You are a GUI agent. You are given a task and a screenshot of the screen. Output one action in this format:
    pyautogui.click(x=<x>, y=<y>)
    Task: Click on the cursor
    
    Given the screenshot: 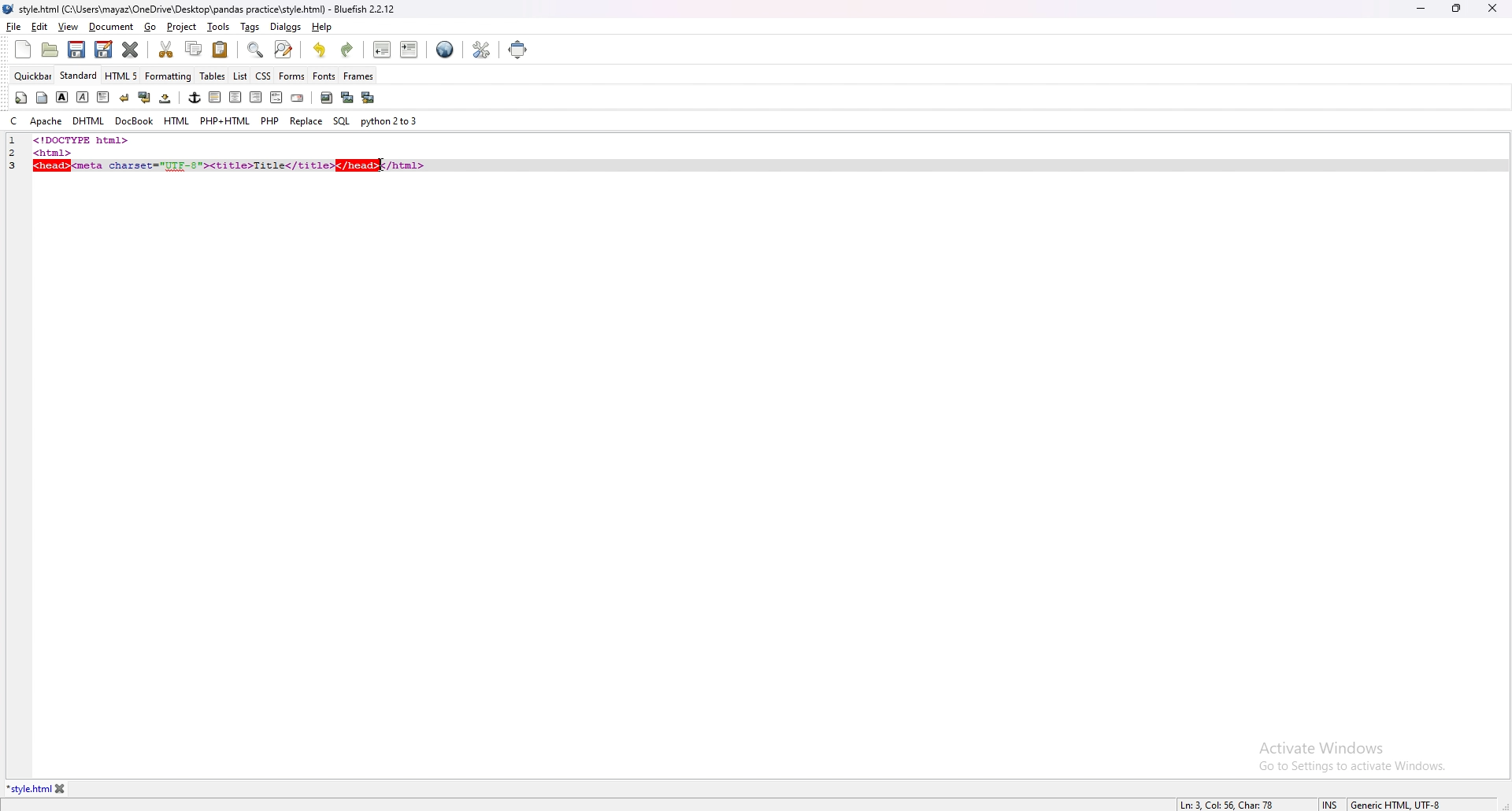 What is the action you would take?
    pyautogui.click(x=380, y=165)
    